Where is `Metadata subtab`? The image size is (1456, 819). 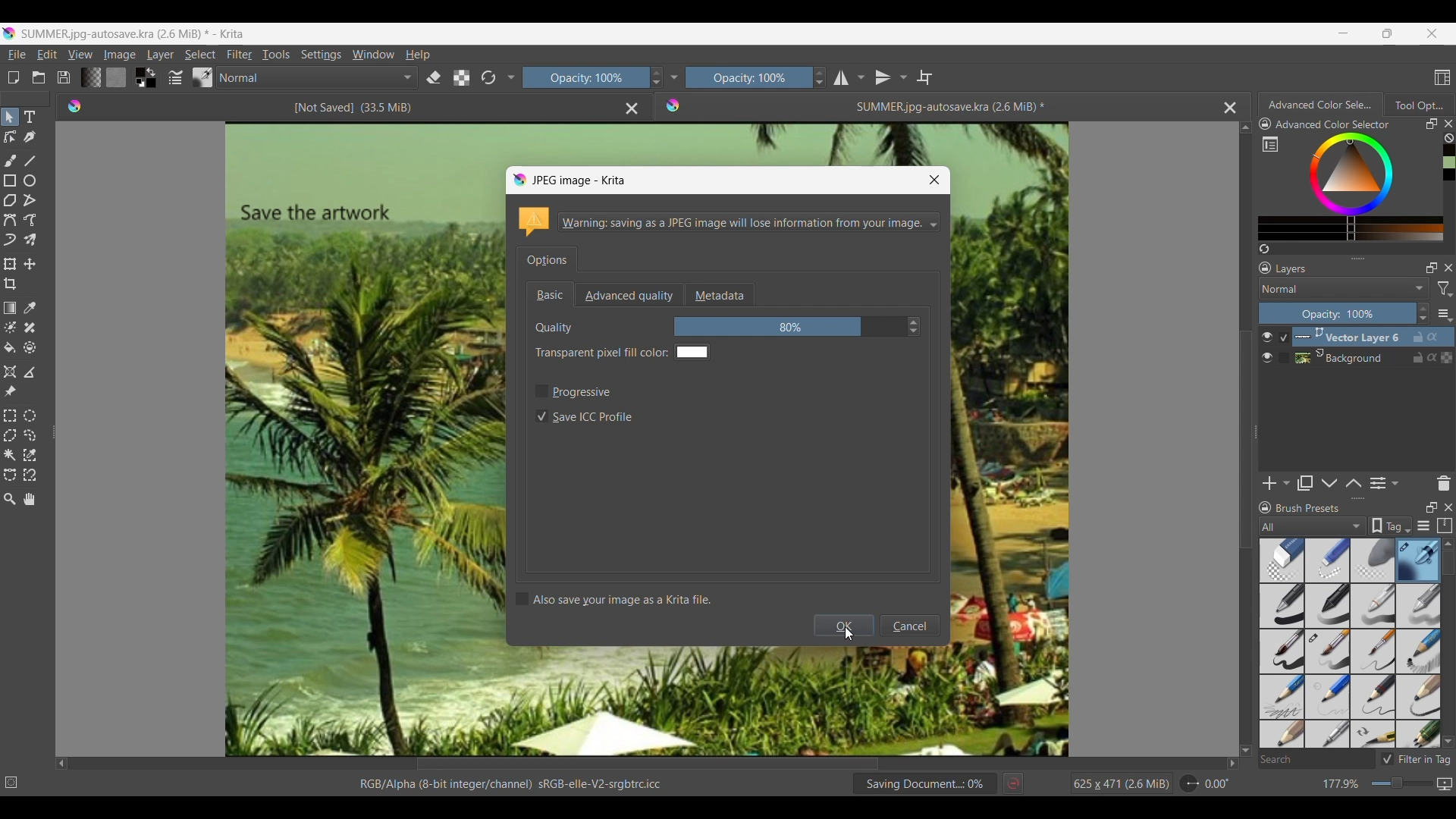 Metadata subtab is located at coordinates (719, 295).